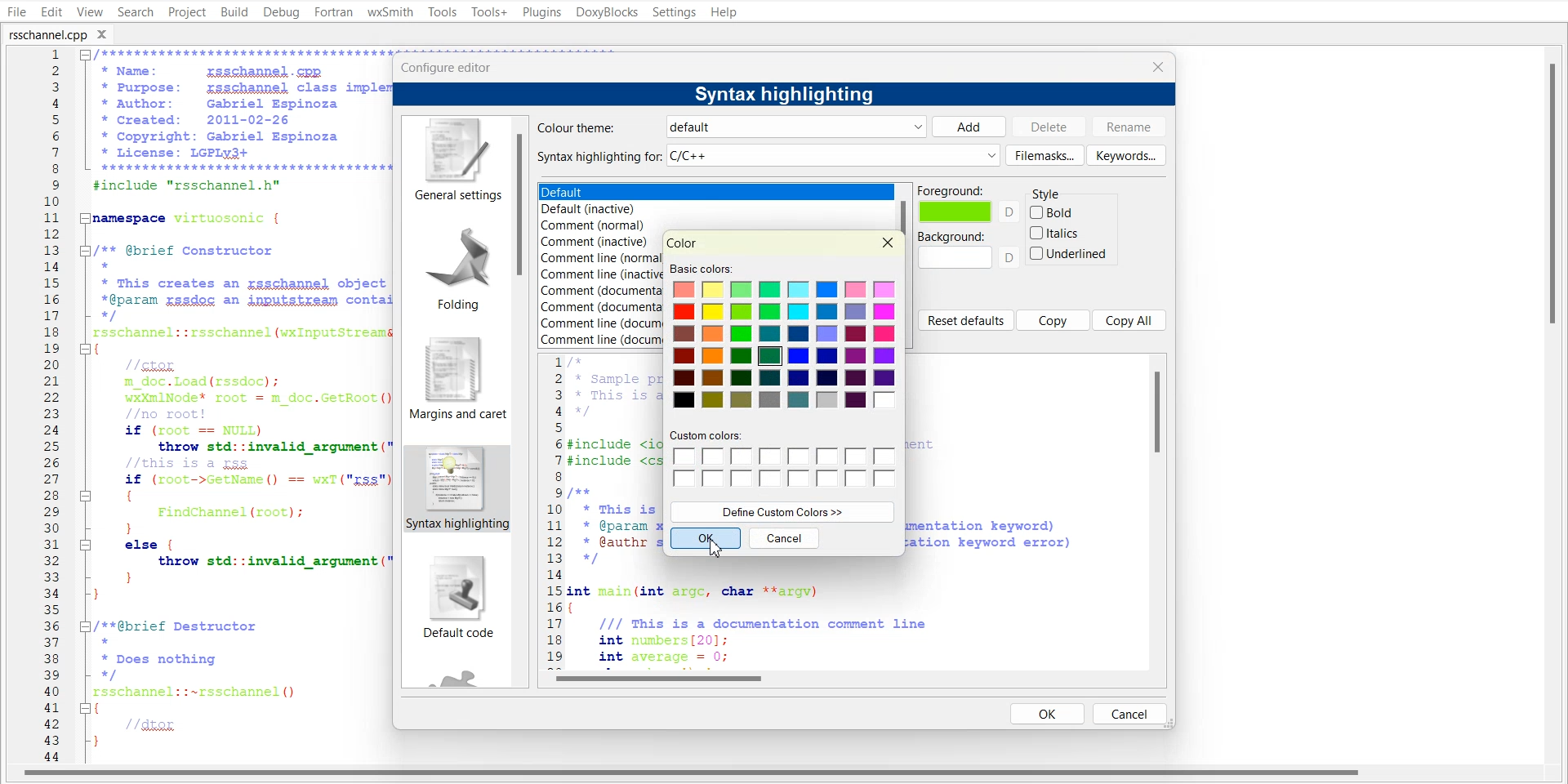 This screenshot has height=784, width=1568. Describe the element at coordinates (1157, 66) in the screenshot. I see `Close` at that location.